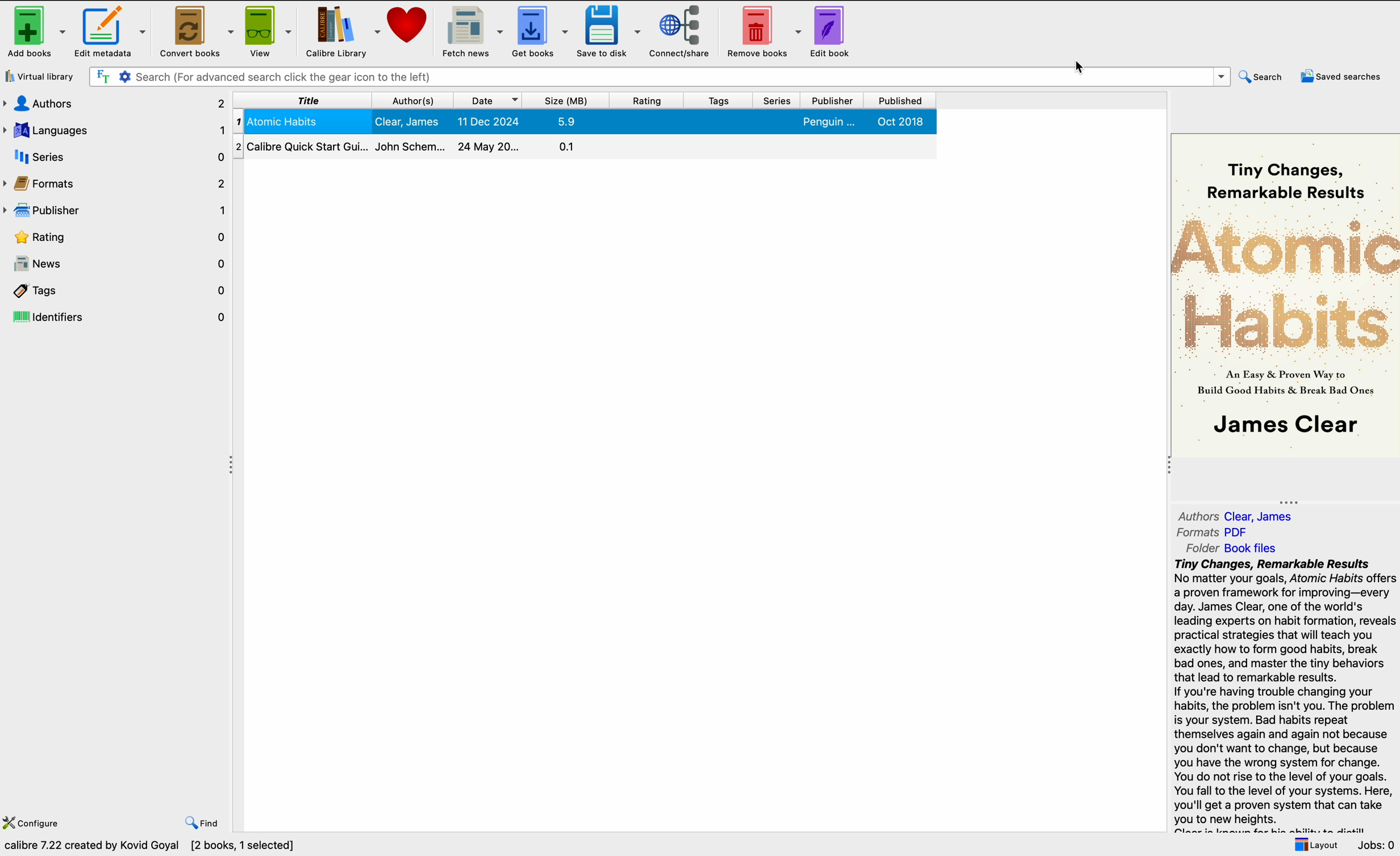  What do you see at coordinates (1285, 695) in the screenshot?
I see `summary book` at bounding box center [1285, 695].